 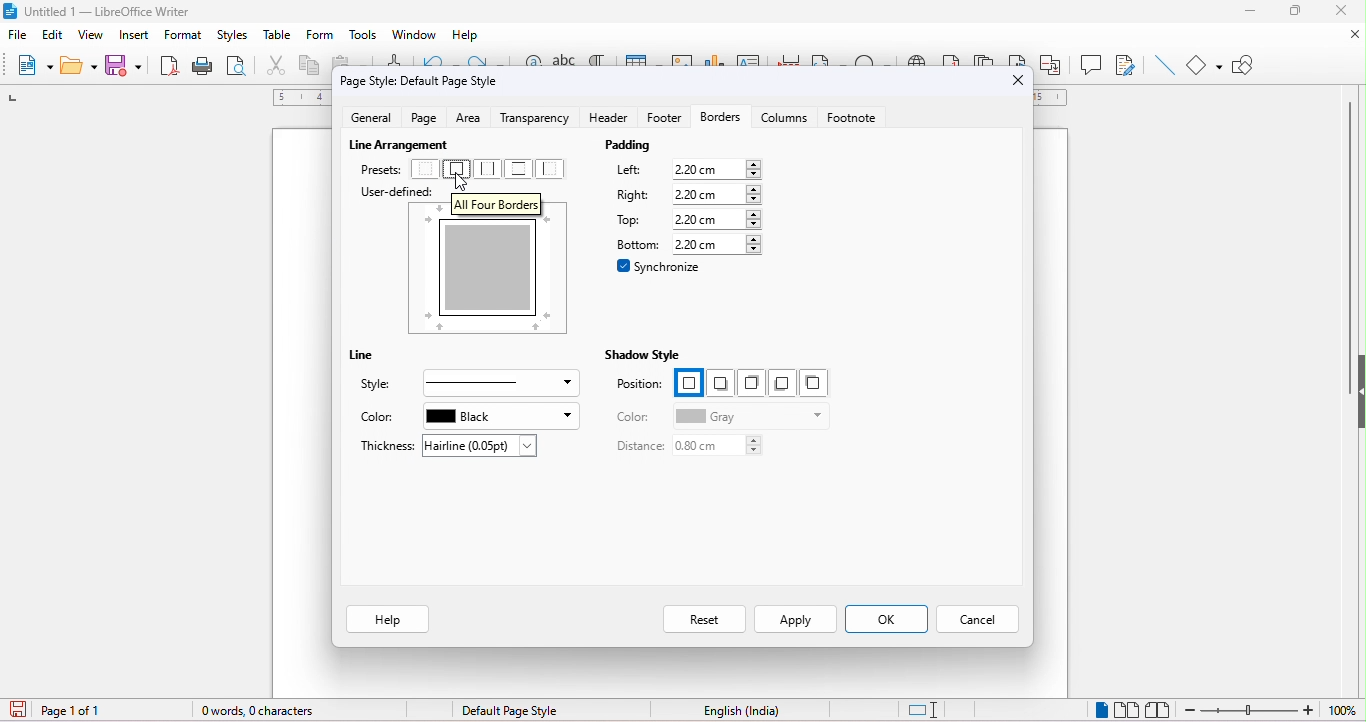 What do you see at coordinates (858, 121) in the screenshot?
I see `footnote` at bounding box center [858, 121].